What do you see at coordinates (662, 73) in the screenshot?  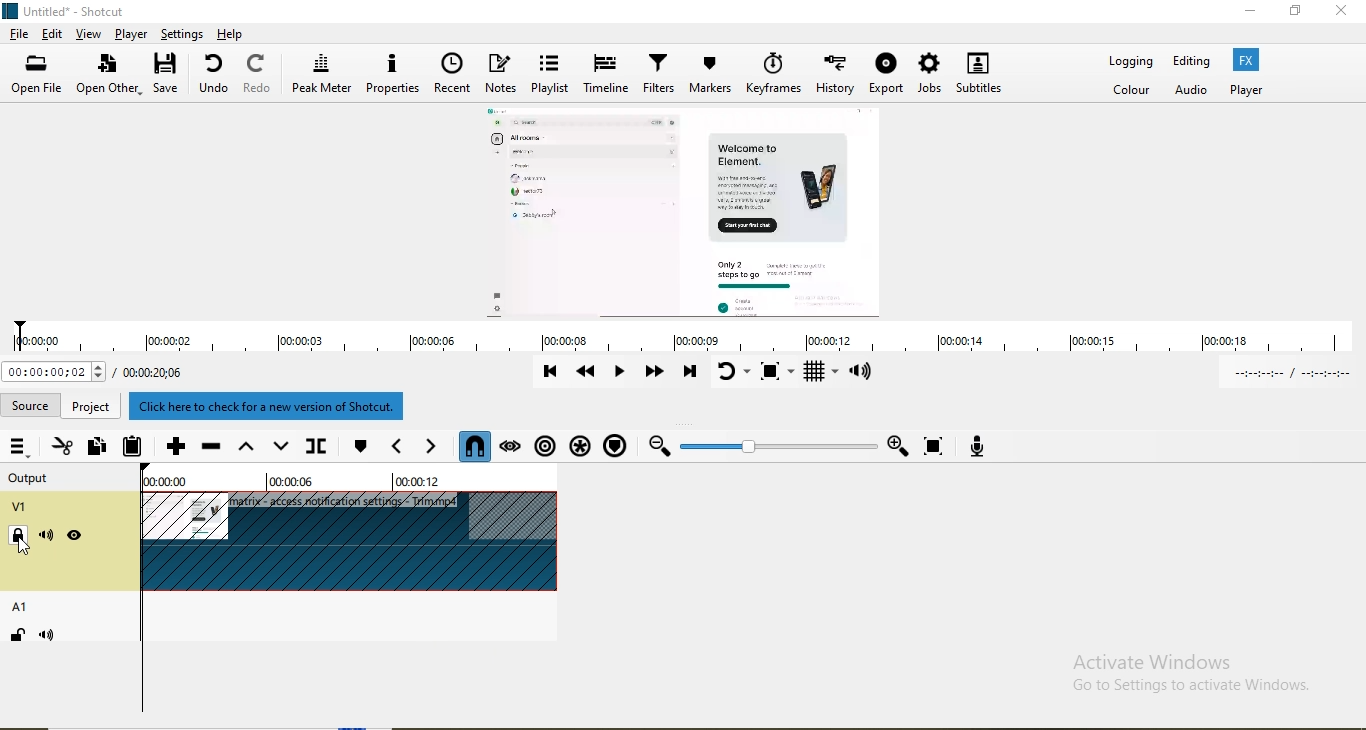 I see `Filters` at bounding box center [662, 73].